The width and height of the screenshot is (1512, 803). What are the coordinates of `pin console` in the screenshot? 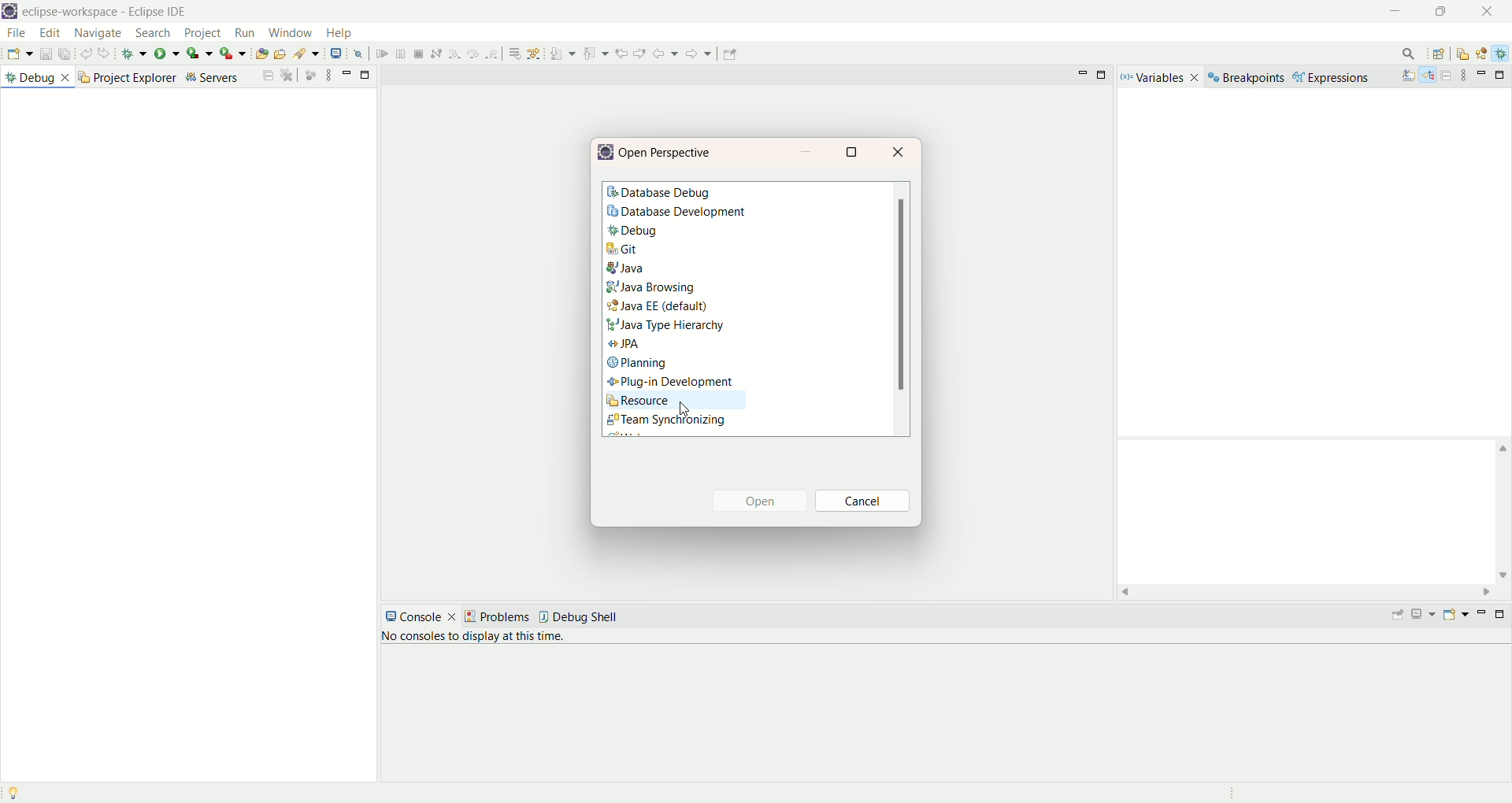 It's located at (1401, 611).